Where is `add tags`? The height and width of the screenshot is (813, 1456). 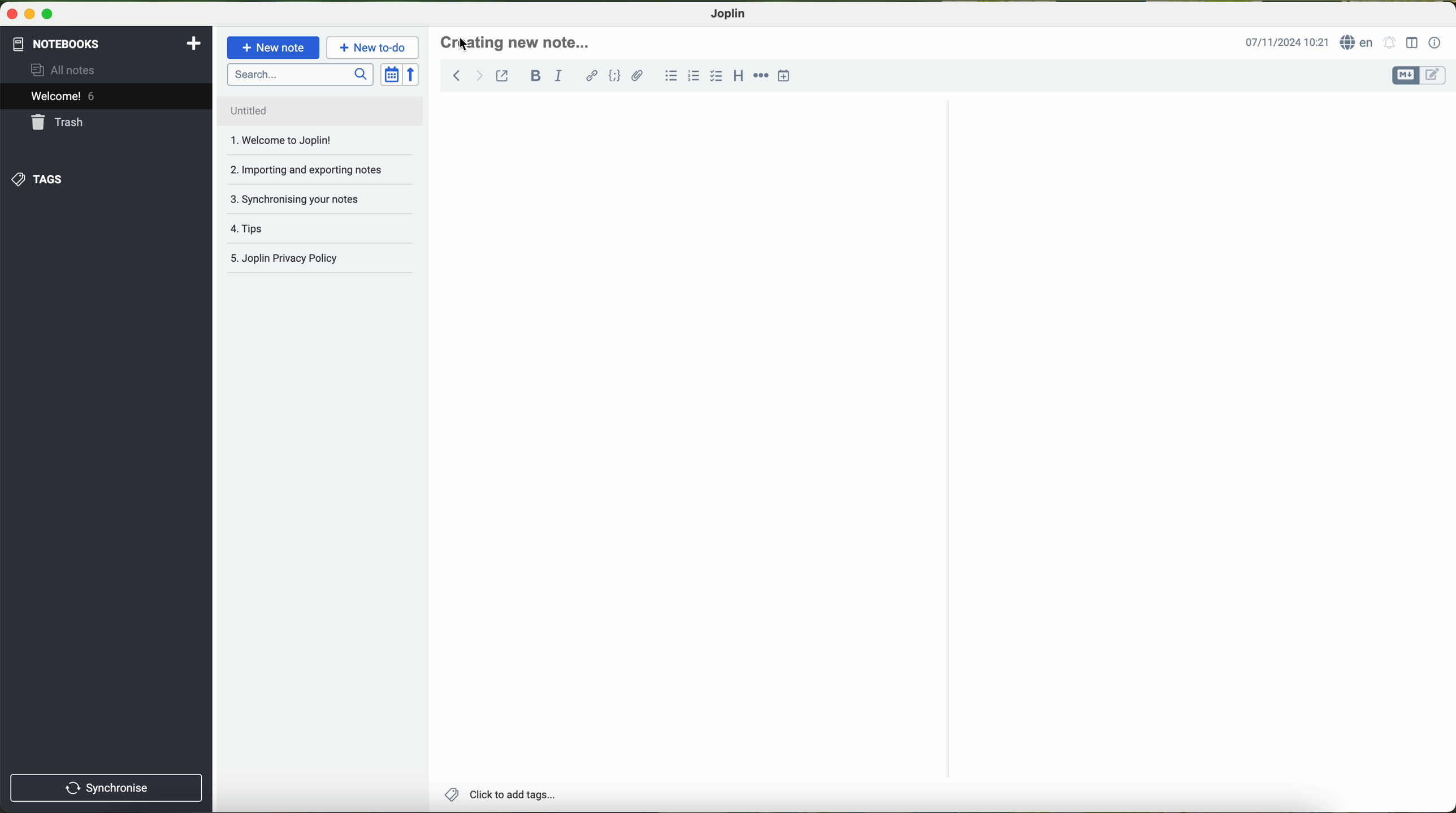
add tags is located at coordinates (497, 795).